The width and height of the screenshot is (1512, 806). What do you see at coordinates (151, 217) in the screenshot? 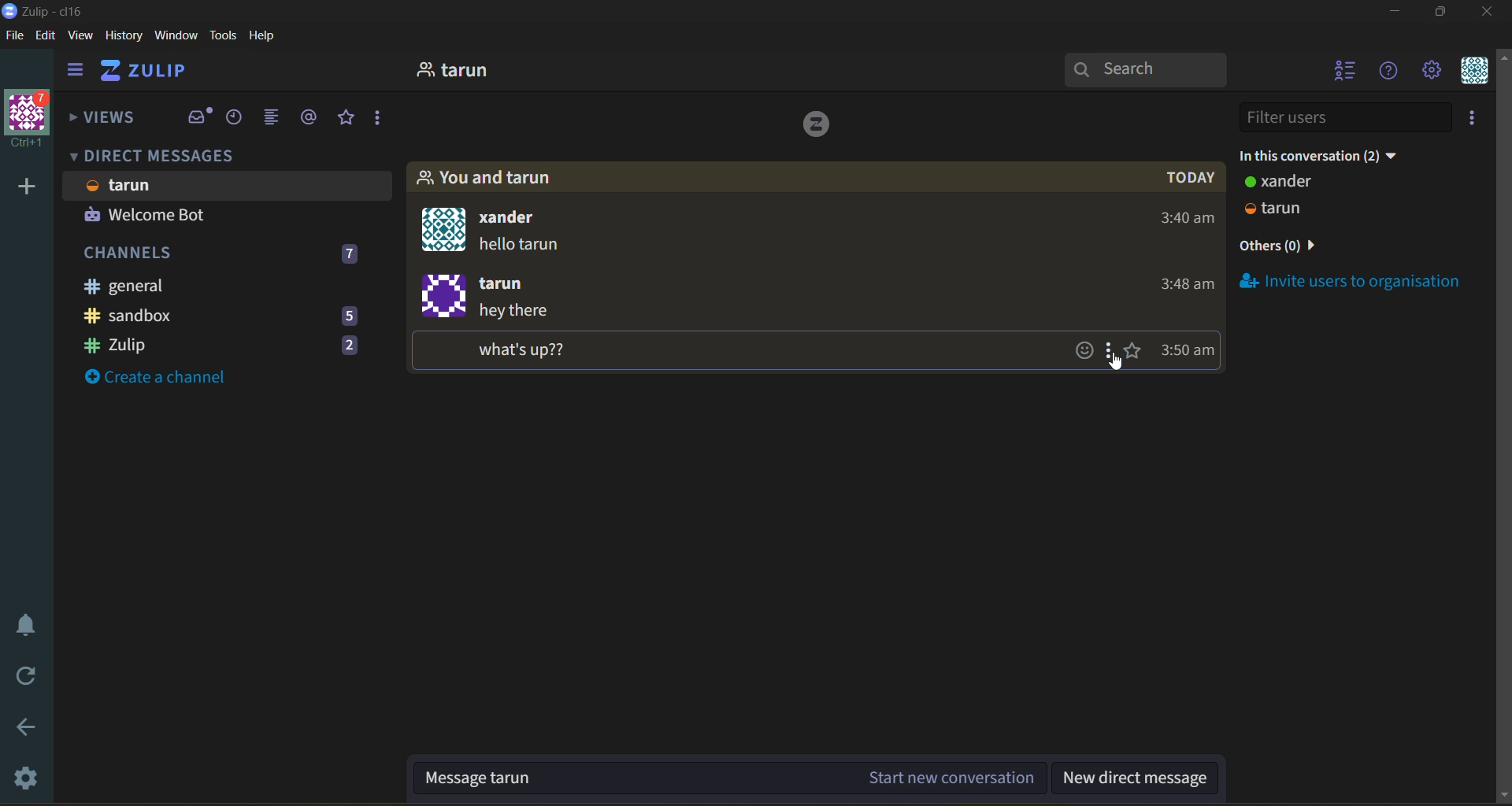
I see `user 2` at bounding box center [151, 217].